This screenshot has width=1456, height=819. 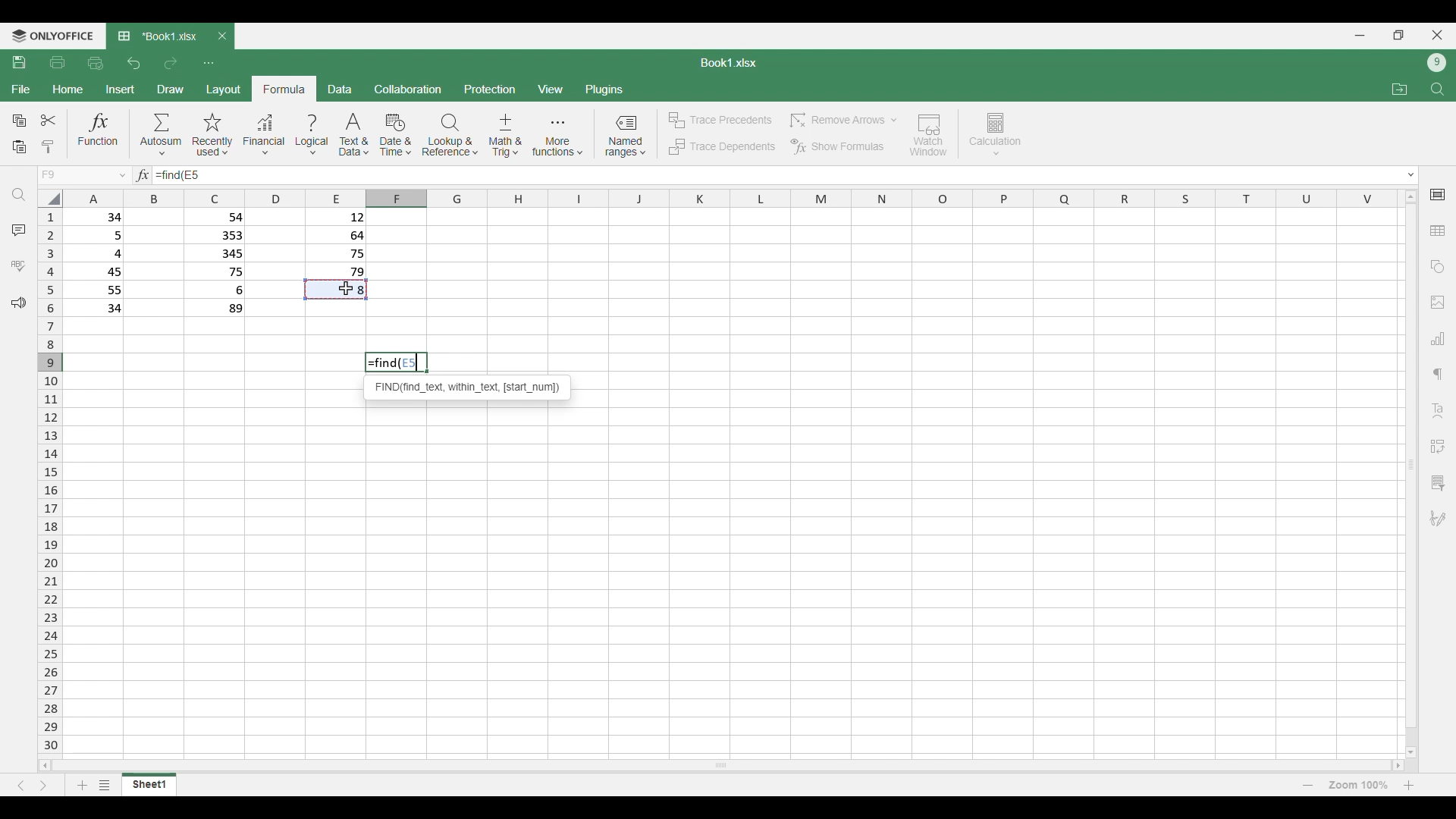 I want to click on Copy, so click(x=18, y=121).